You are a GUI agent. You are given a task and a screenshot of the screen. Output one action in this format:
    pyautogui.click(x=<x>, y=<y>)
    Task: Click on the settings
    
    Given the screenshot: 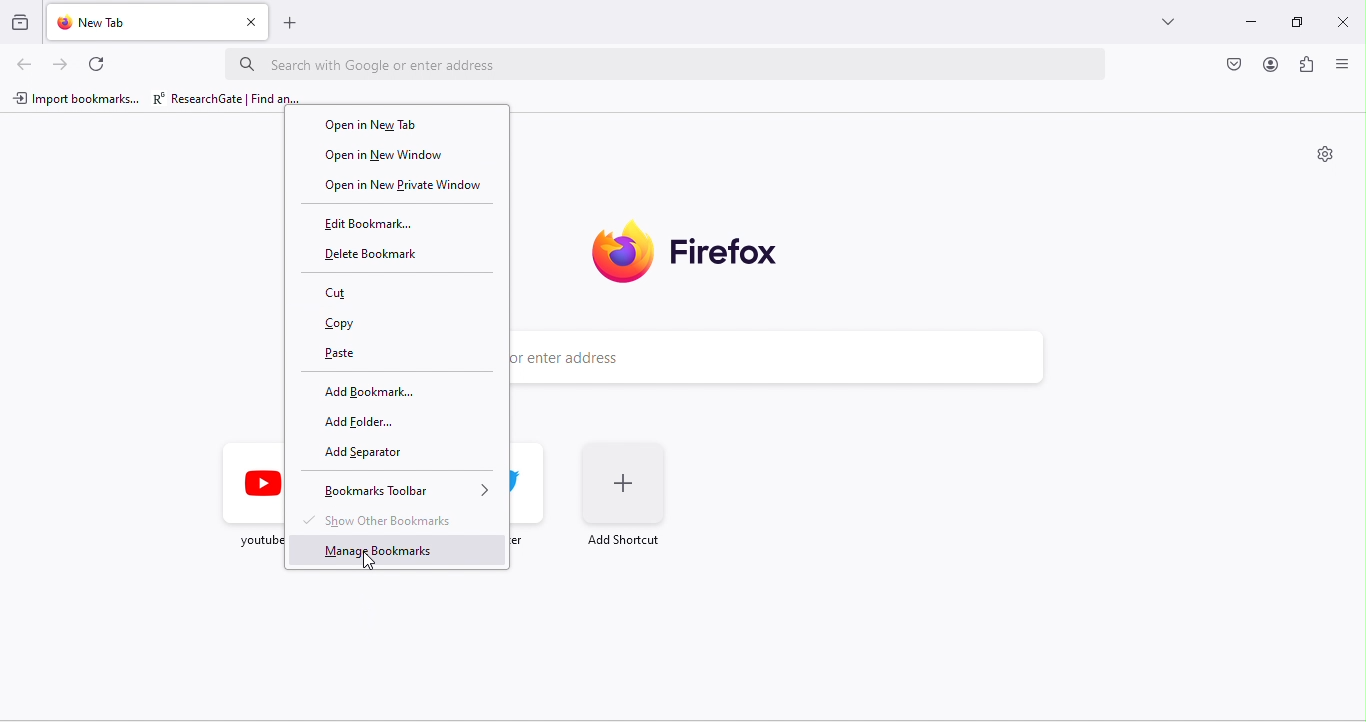 What is the action you would take?
    pyautogui.click(x=1325, y=156)
    